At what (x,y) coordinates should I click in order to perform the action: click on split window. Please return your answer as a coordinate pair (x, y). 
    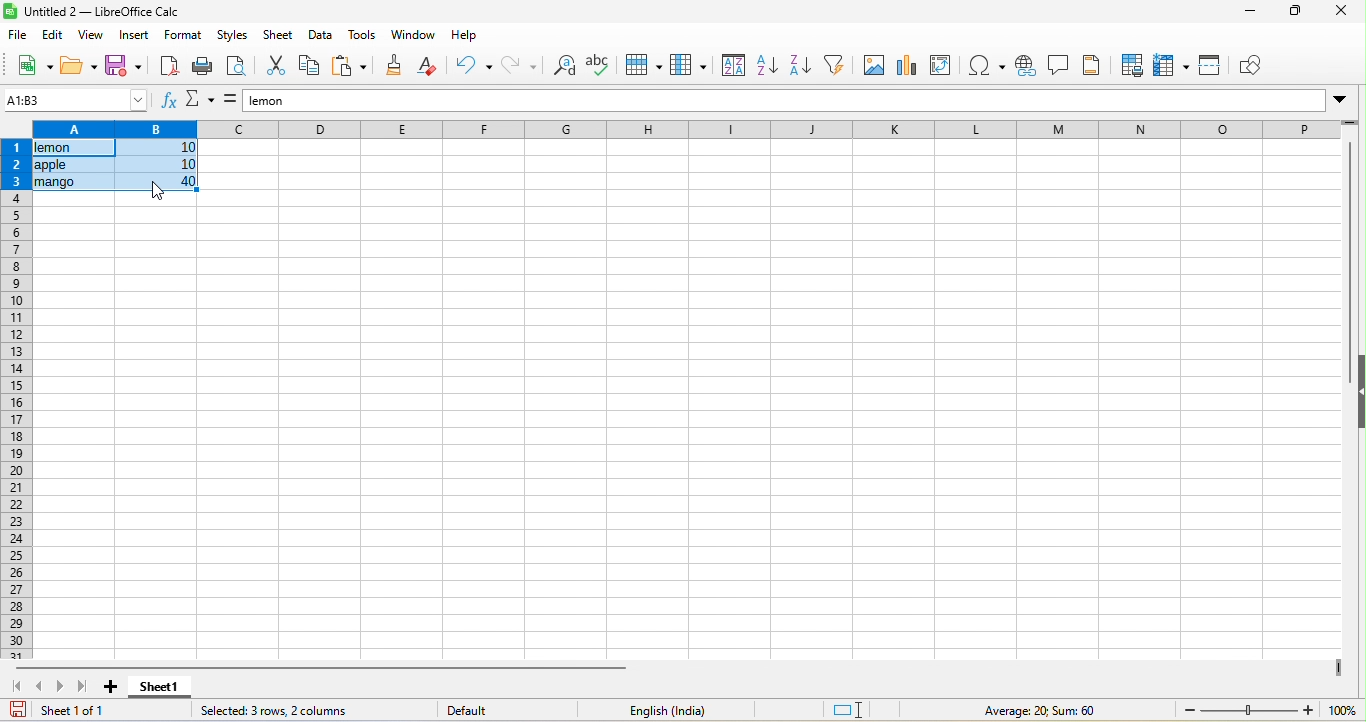
    Looking at the image, I should click on (1214, 68).